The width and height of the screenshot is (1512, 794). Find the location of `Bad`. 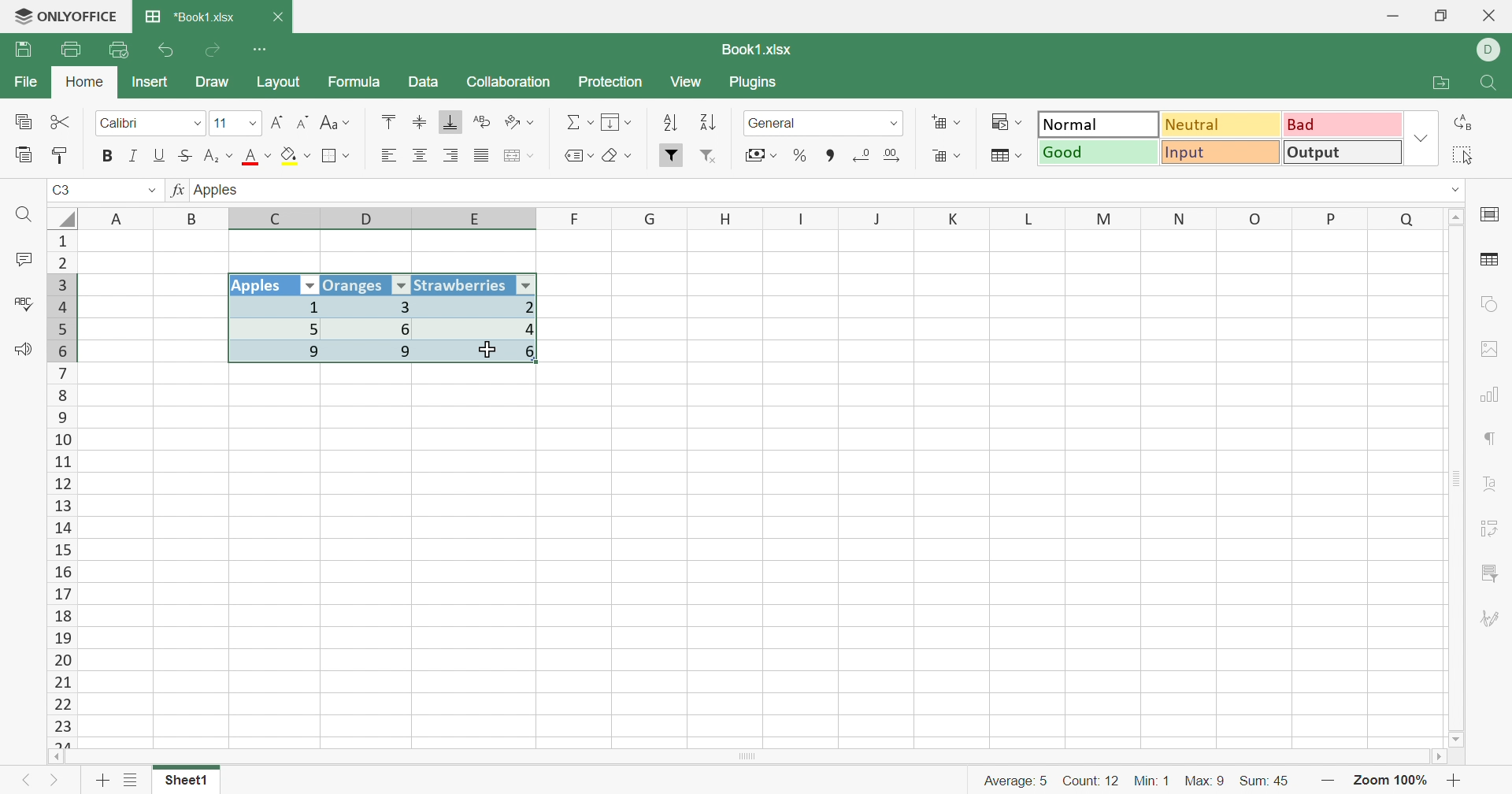

Bad is located at coordinates (1340, 124).